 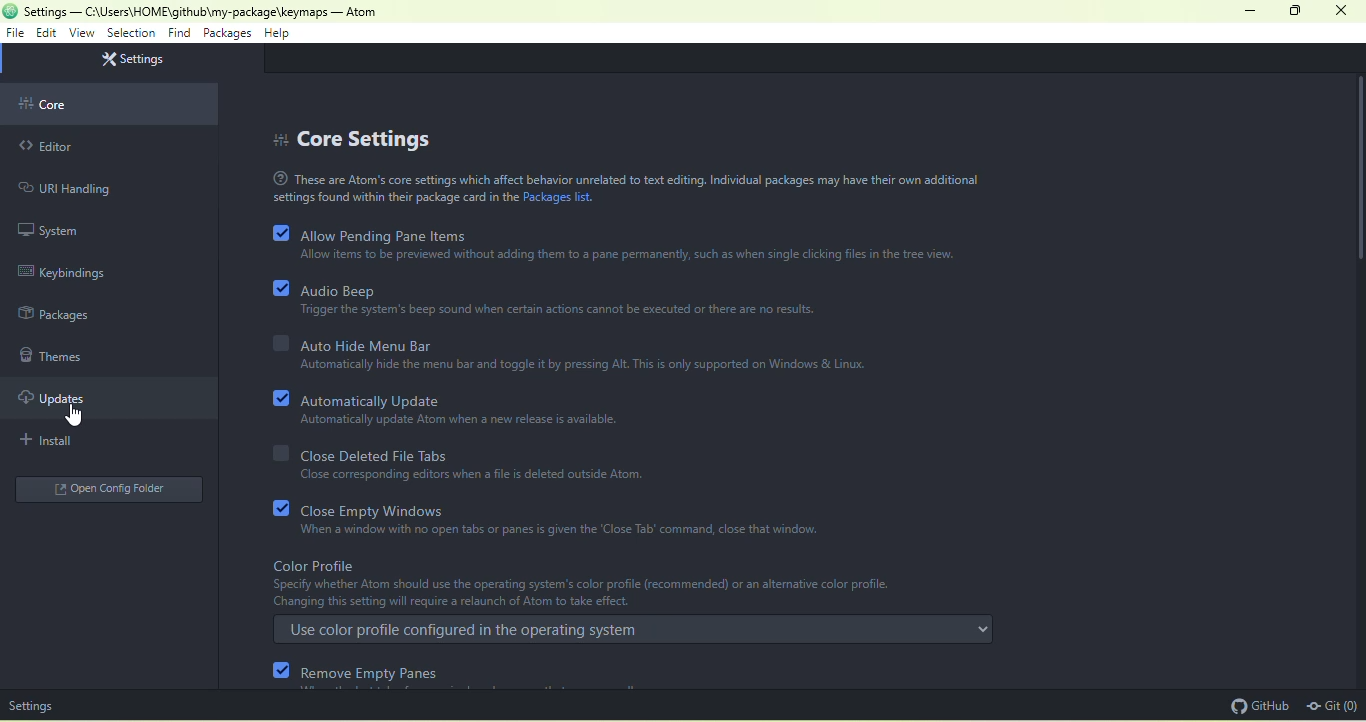 I want to click on find, so click(x=181, y=33).